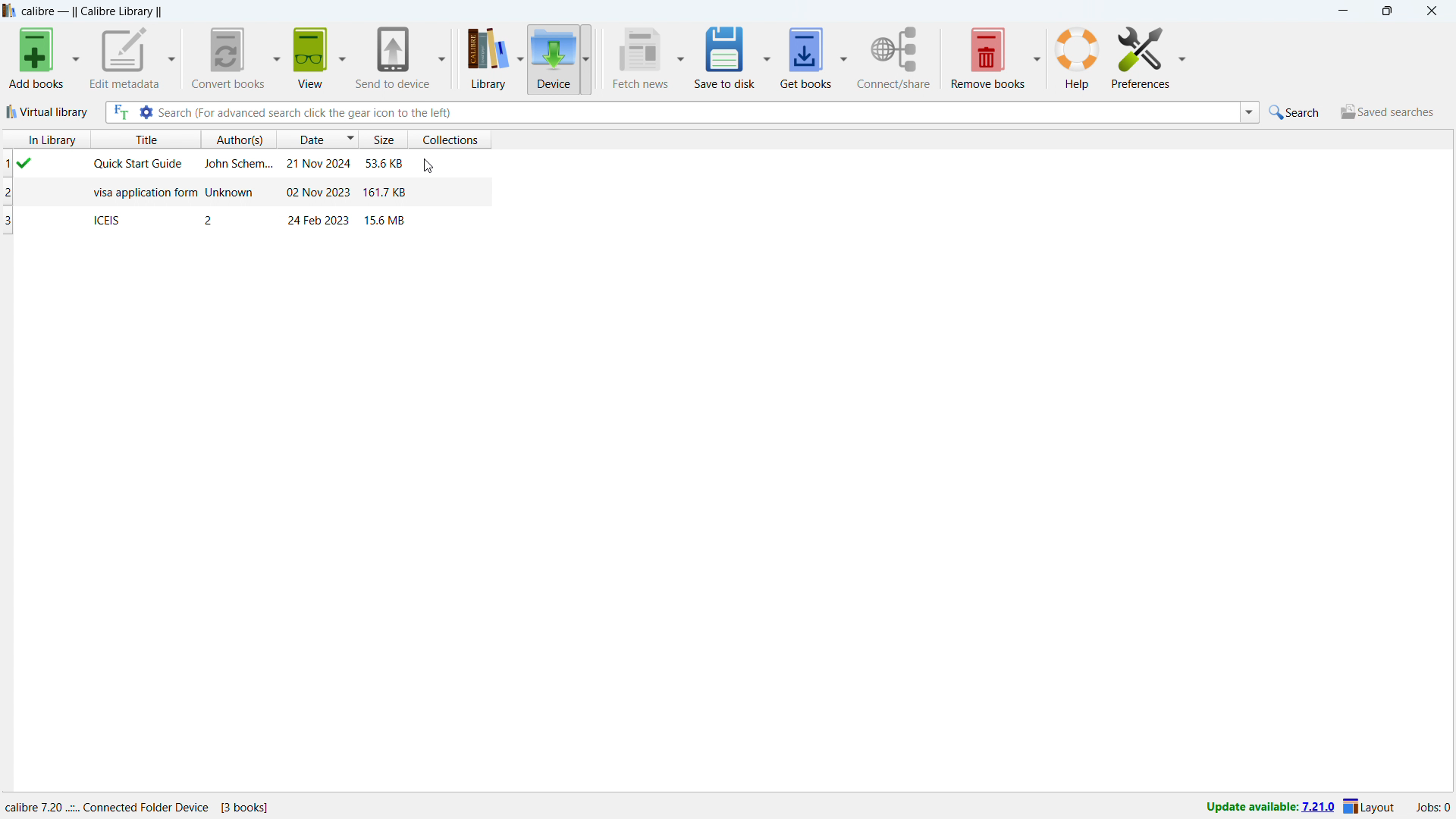 This screenshot has height=819, width=1456. I want to click on sort by title, so click(152, 140).